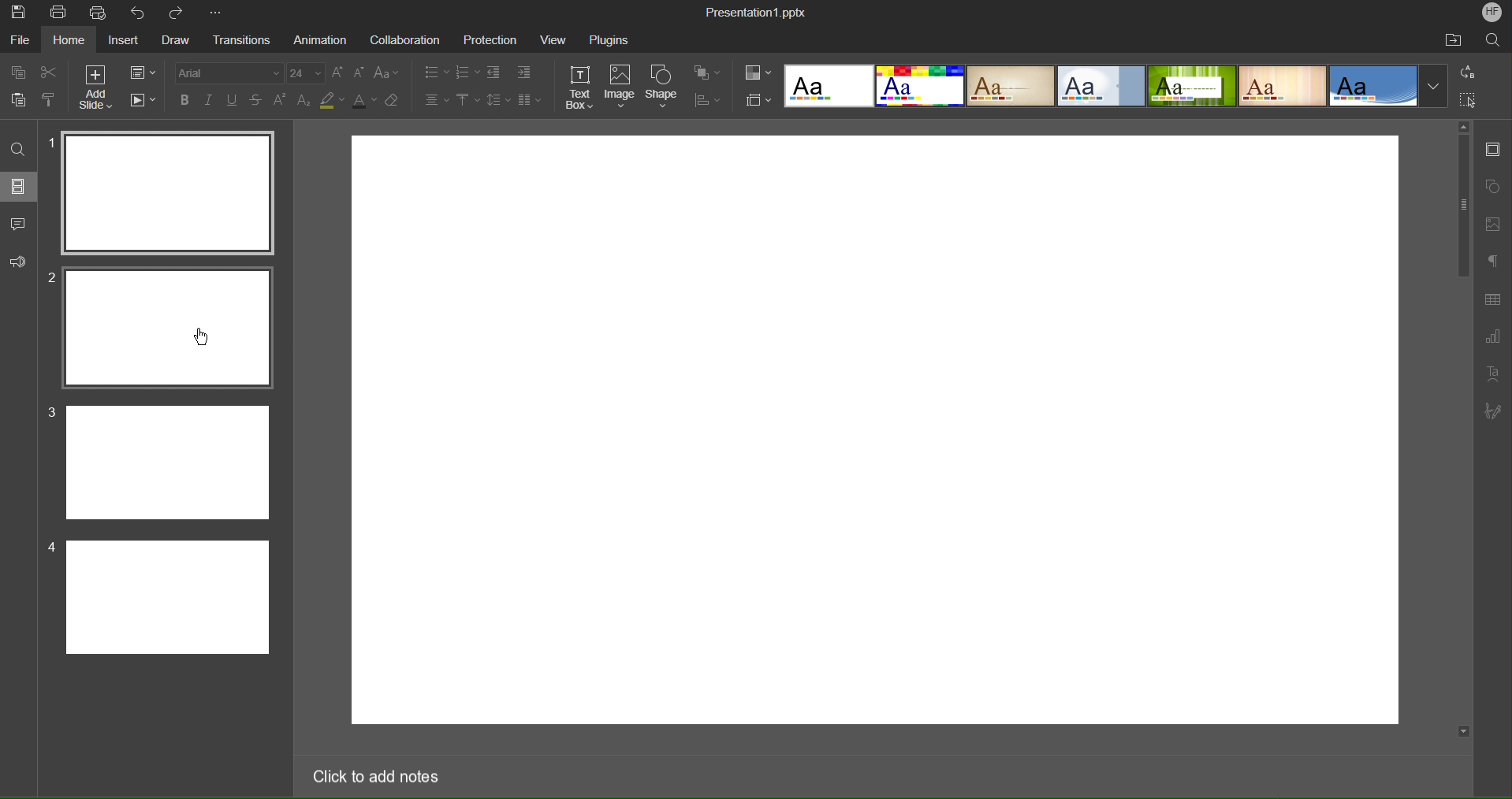 This screenshot has width=1512, height=799. What do you see at coordinates (1494, 224) in the screenshot?
I see `Image Settings` at bounding box center [1494, 224].